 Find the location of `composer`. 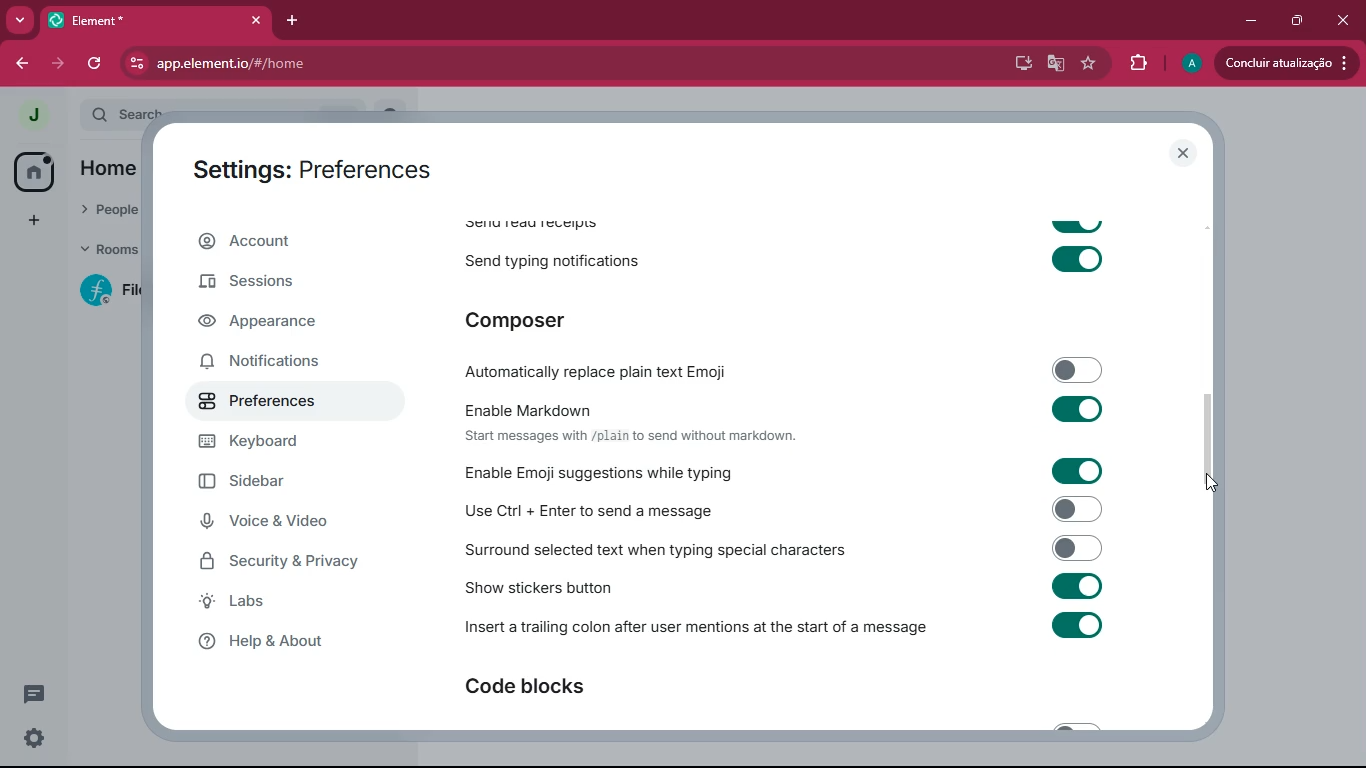

composer is located at coordinates (563, 319).